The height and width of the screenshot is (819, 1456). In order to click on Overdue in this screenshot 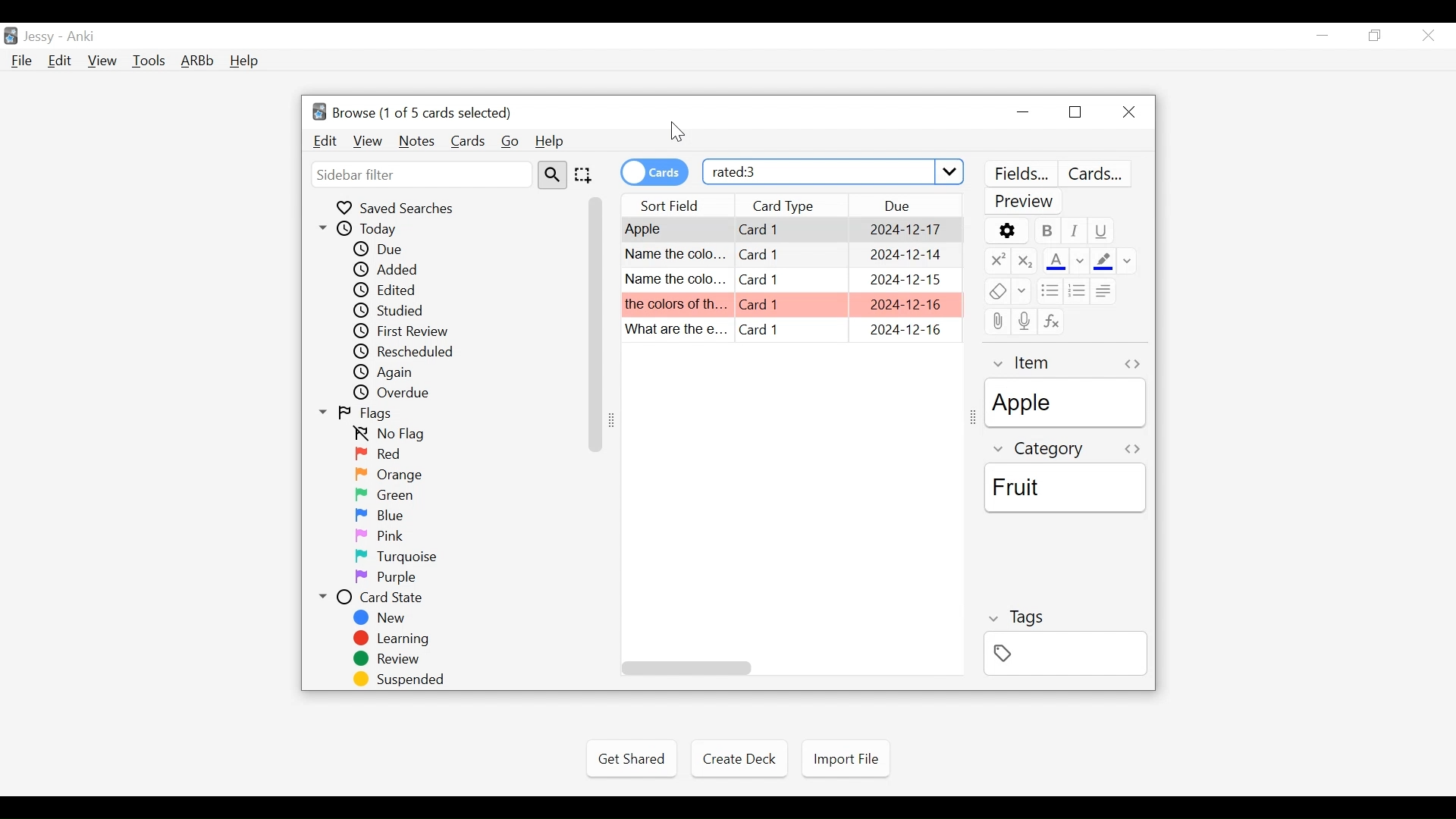, I will do `click(397, 394)`.